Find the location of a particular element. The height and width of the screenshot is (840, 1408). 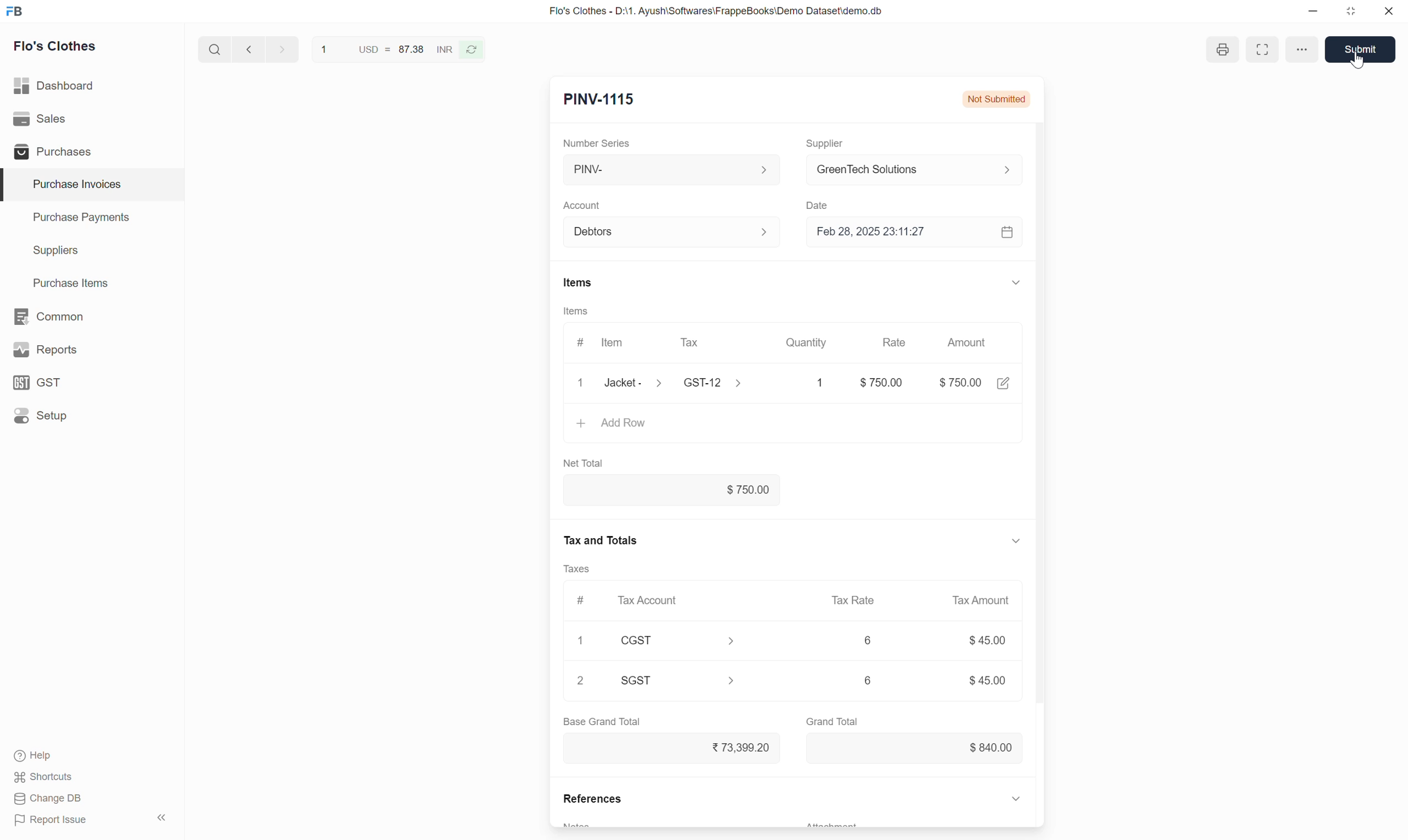

Taxes is located at coordinates (576, 569).